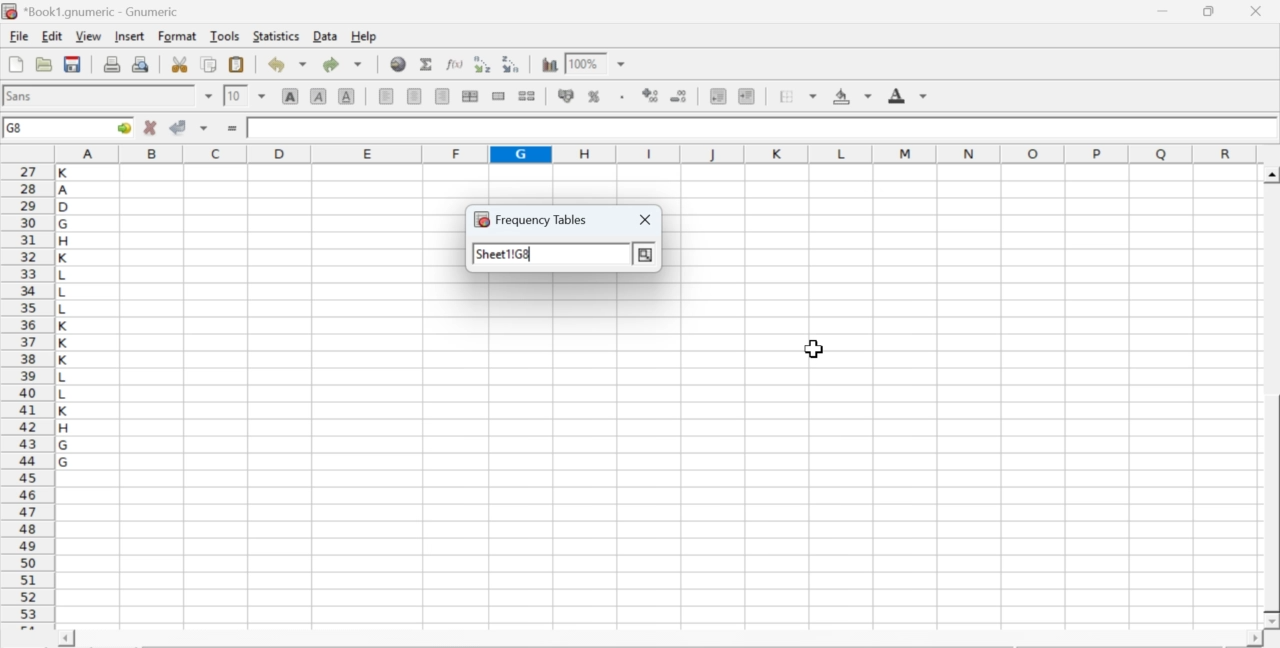 The image size is (1280, 648). I want to click on 10, so click(235, 96).